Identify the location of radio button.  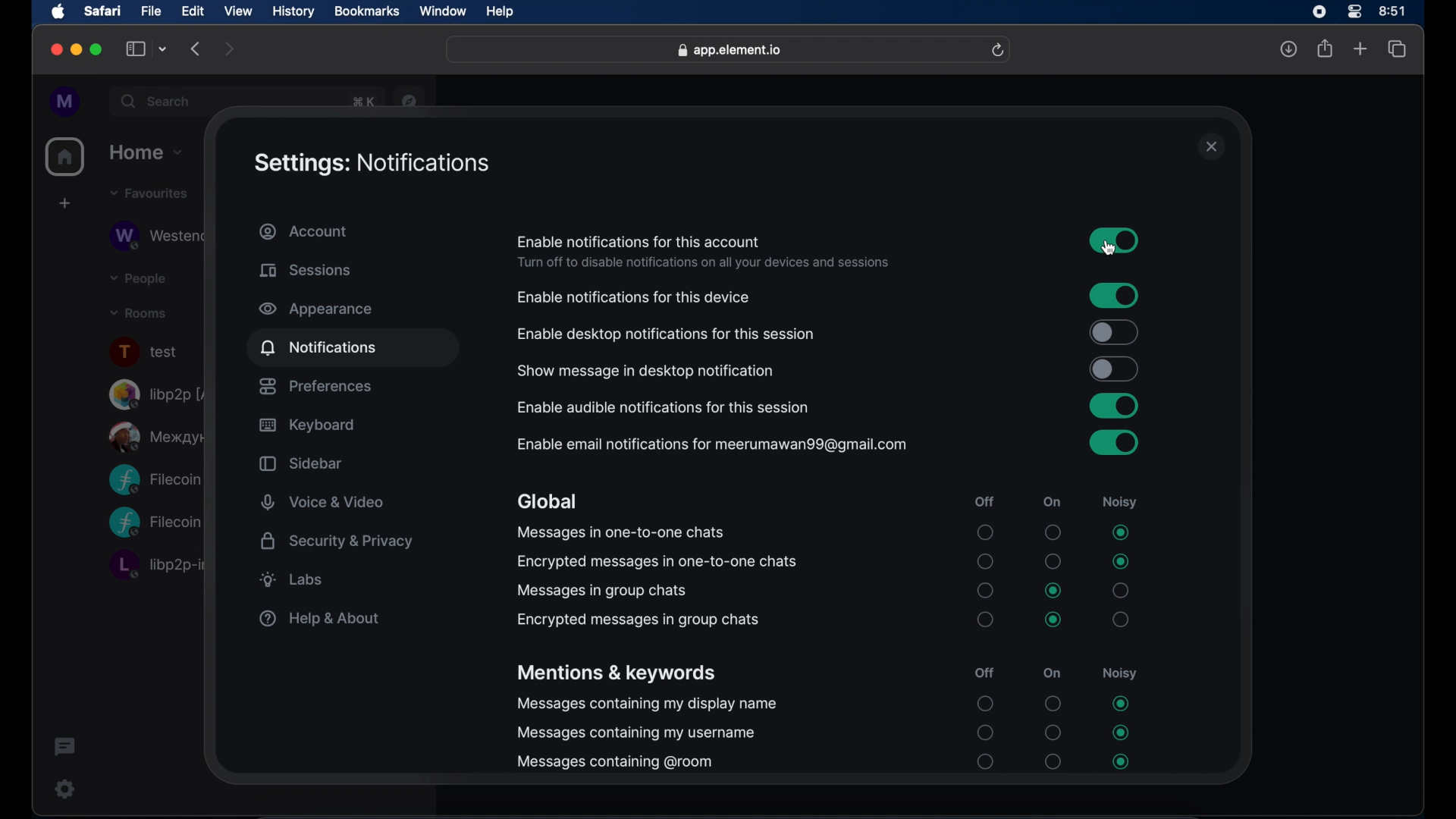
(1052, 532).